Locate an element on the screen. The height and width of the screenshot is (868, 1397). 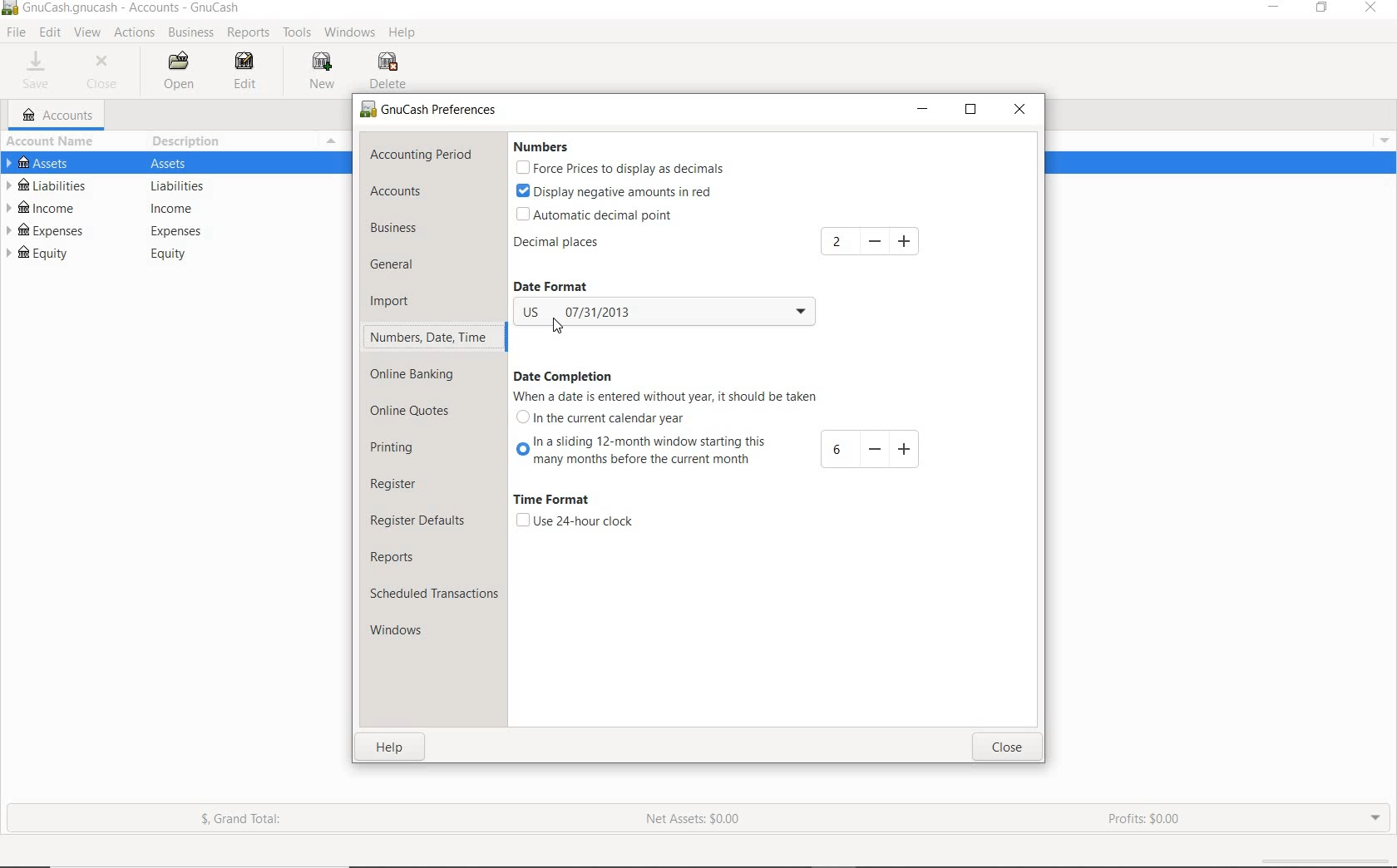
EDIT is located at coordinates (50, 32).